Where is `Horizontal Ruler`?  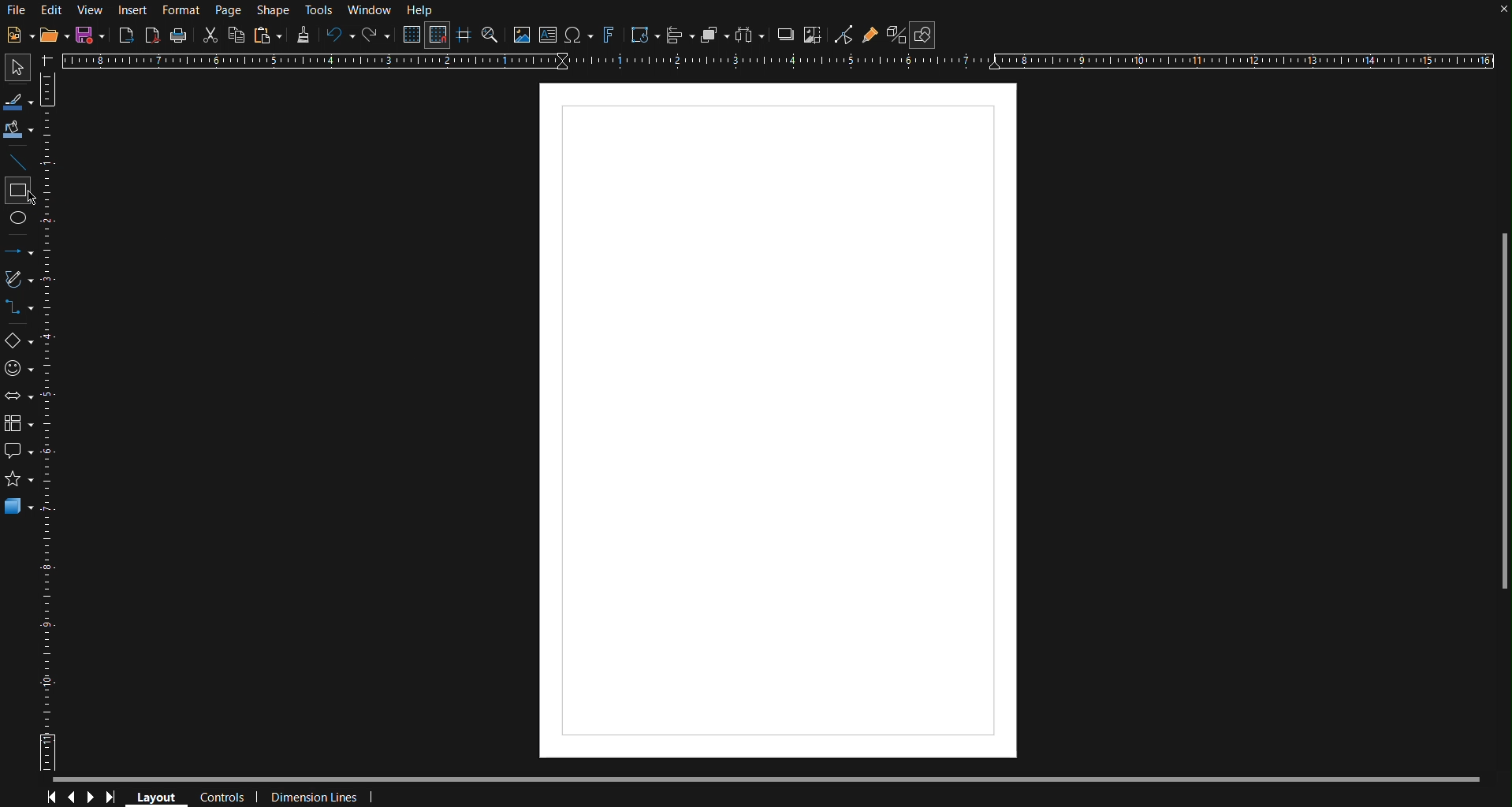 Horizontal Ruler is located at coordinates (776, 59).